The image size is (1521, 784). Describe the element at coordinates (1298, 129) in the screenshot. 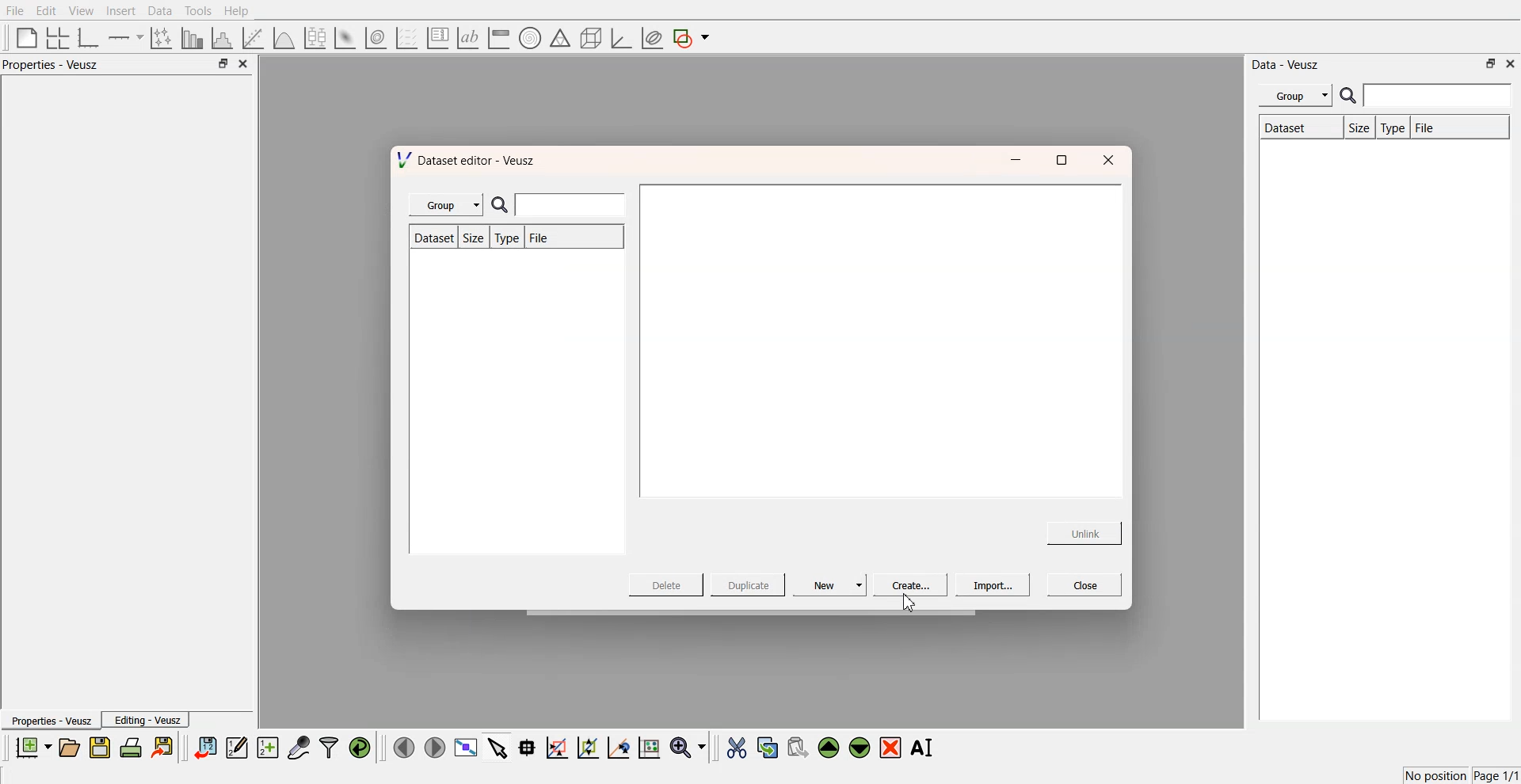

I see `Dataset` at that location.